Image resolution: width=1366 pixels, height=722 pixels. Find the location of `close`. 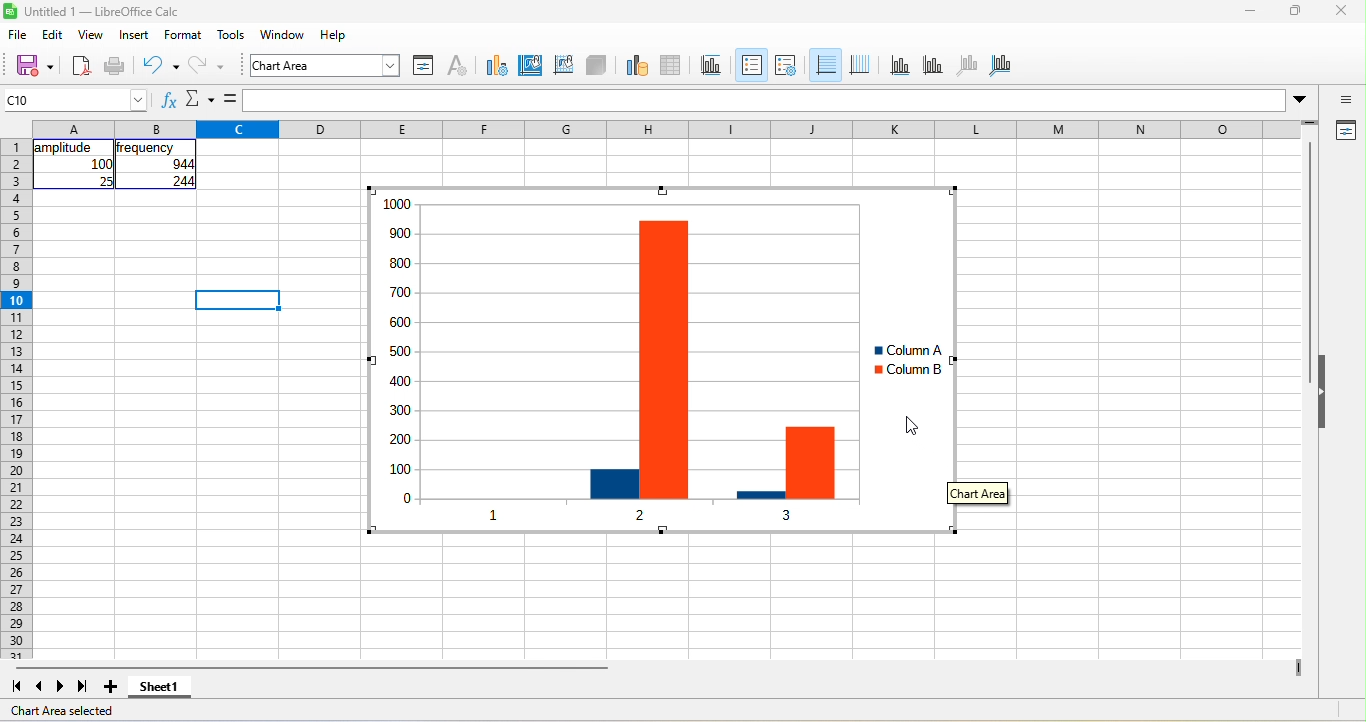

close is located at coordinates (1342, 10).